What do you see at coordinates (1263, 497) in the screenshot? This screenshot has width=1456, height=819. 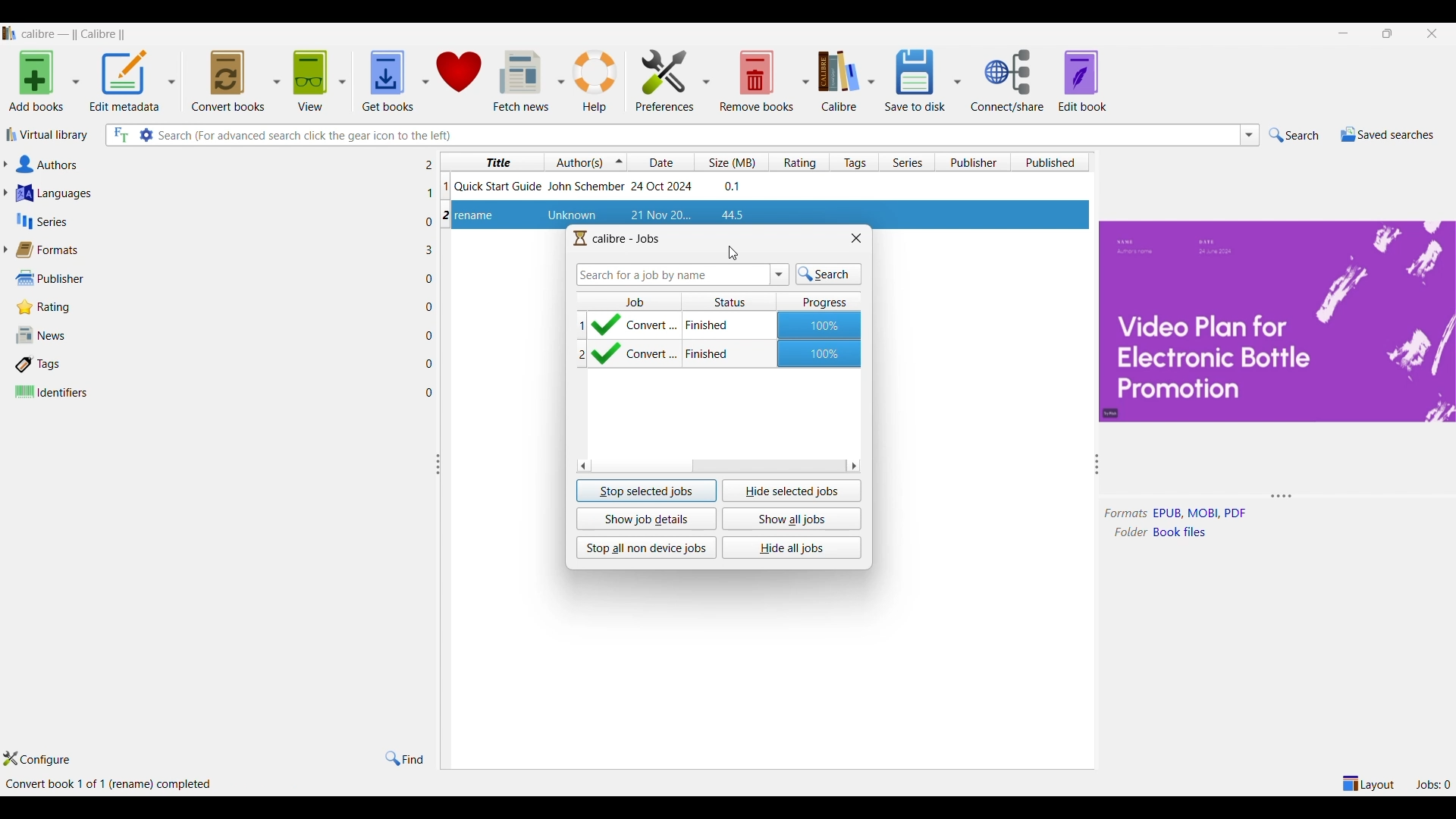 I see `Change height of panel attached to this line` at bounding box center [1263, 497].